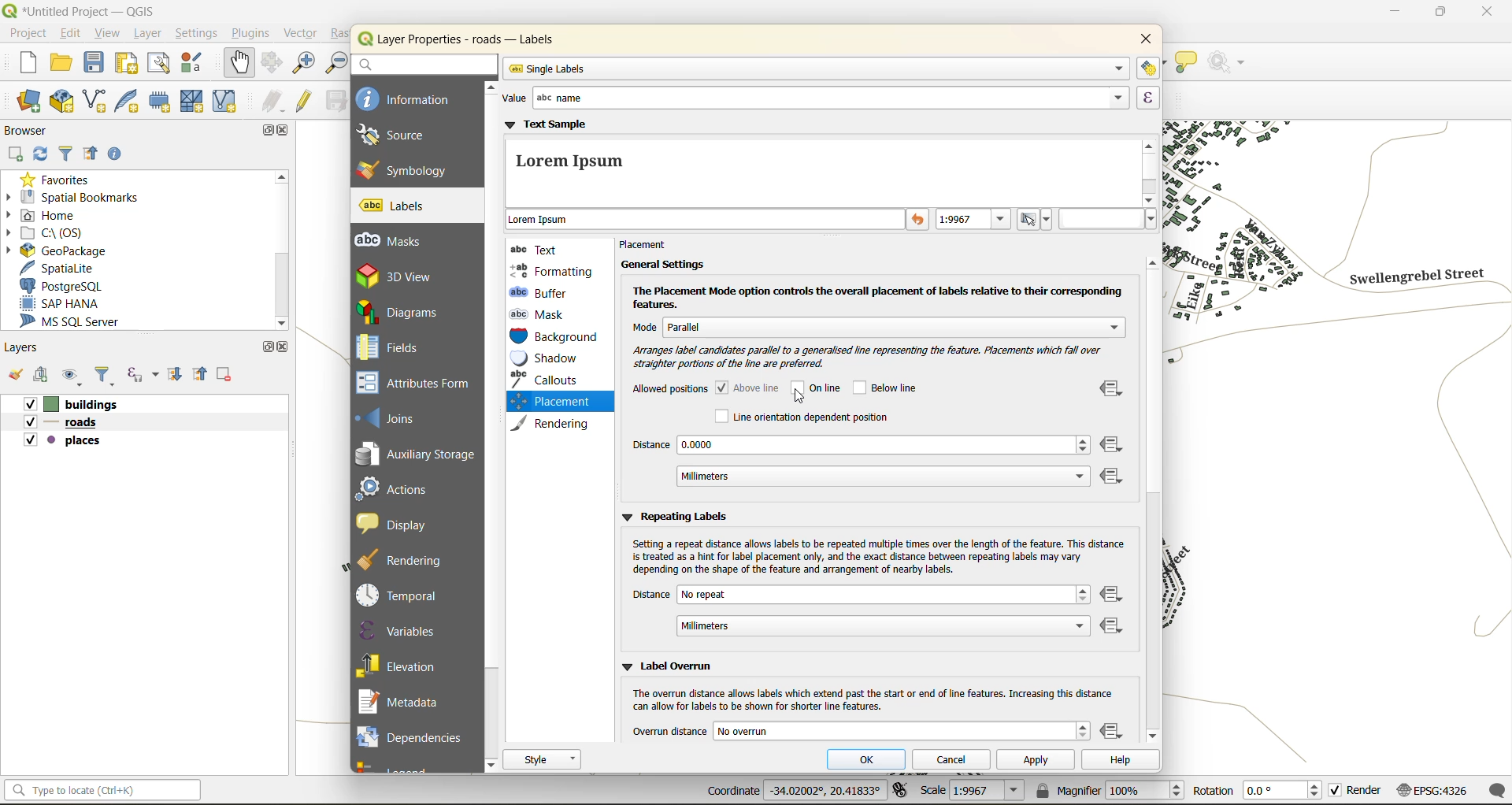  What do you see at coordinates (403, 664) in the screenshot?
I see `elevation` at bounding box center [403, 664].